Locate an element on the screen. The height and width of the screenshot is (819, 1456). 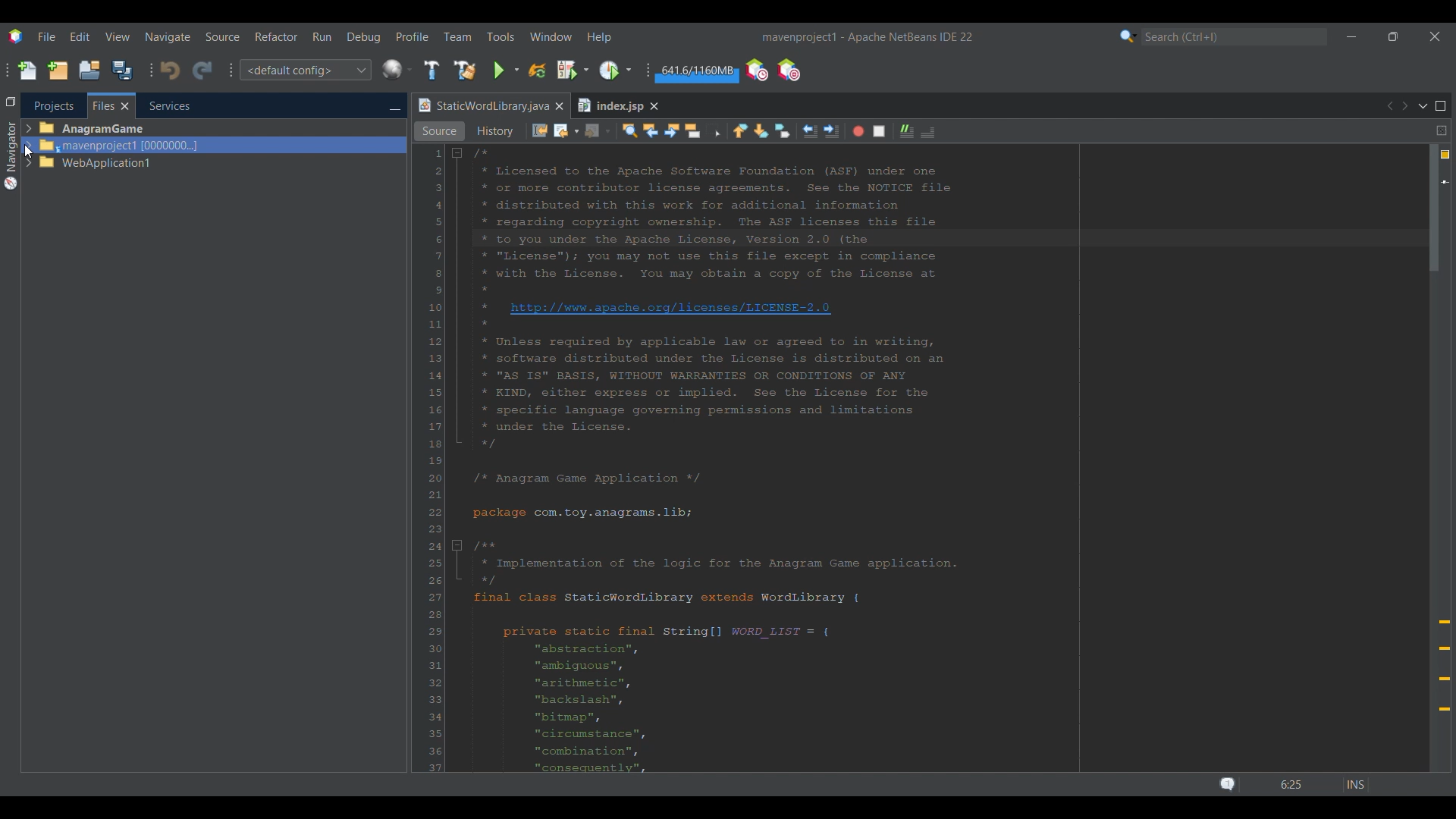
Stop macro recording is located at coordinates (879, 131).